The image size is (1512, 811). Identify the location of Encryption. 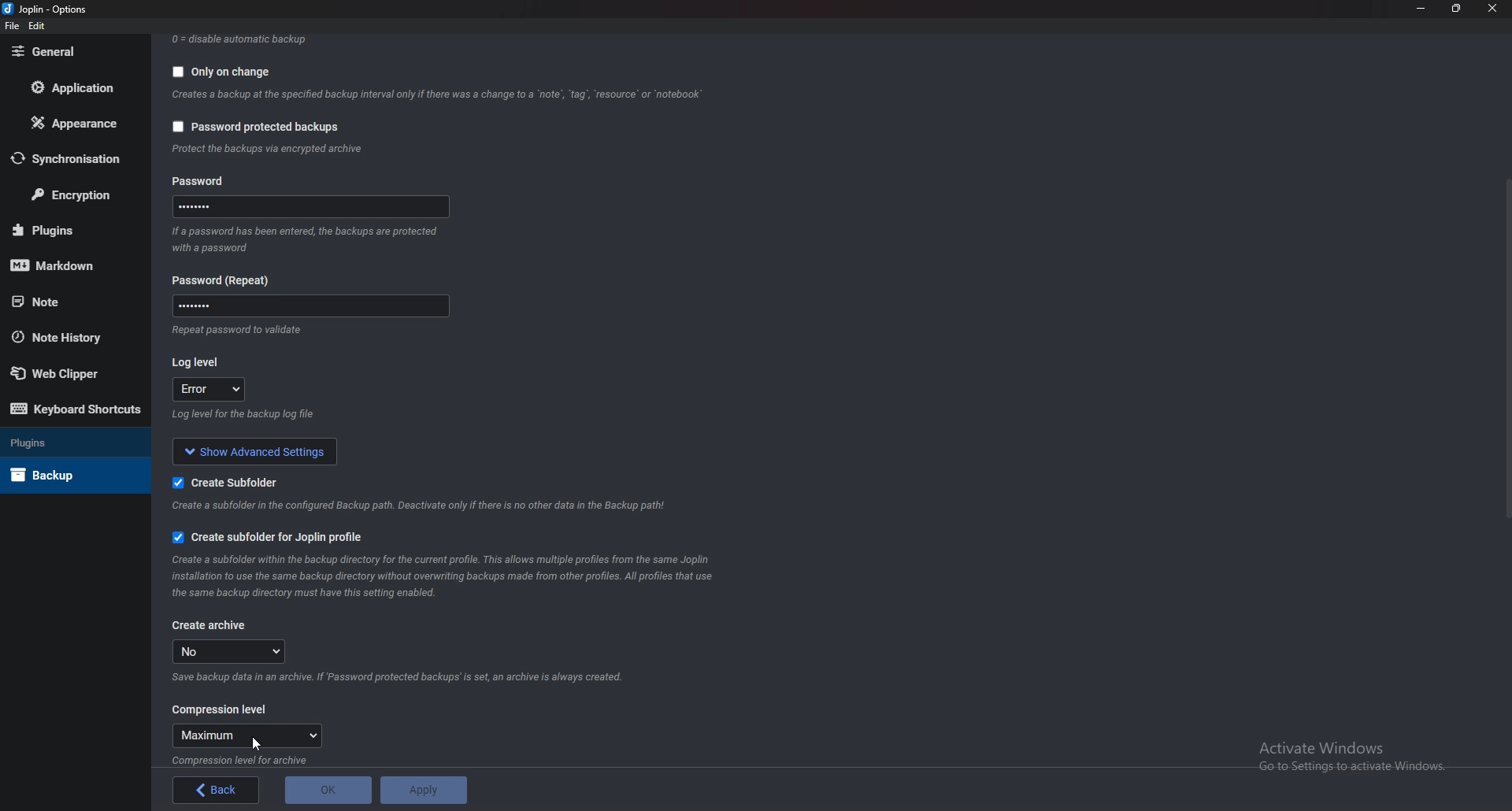
(73, 194).